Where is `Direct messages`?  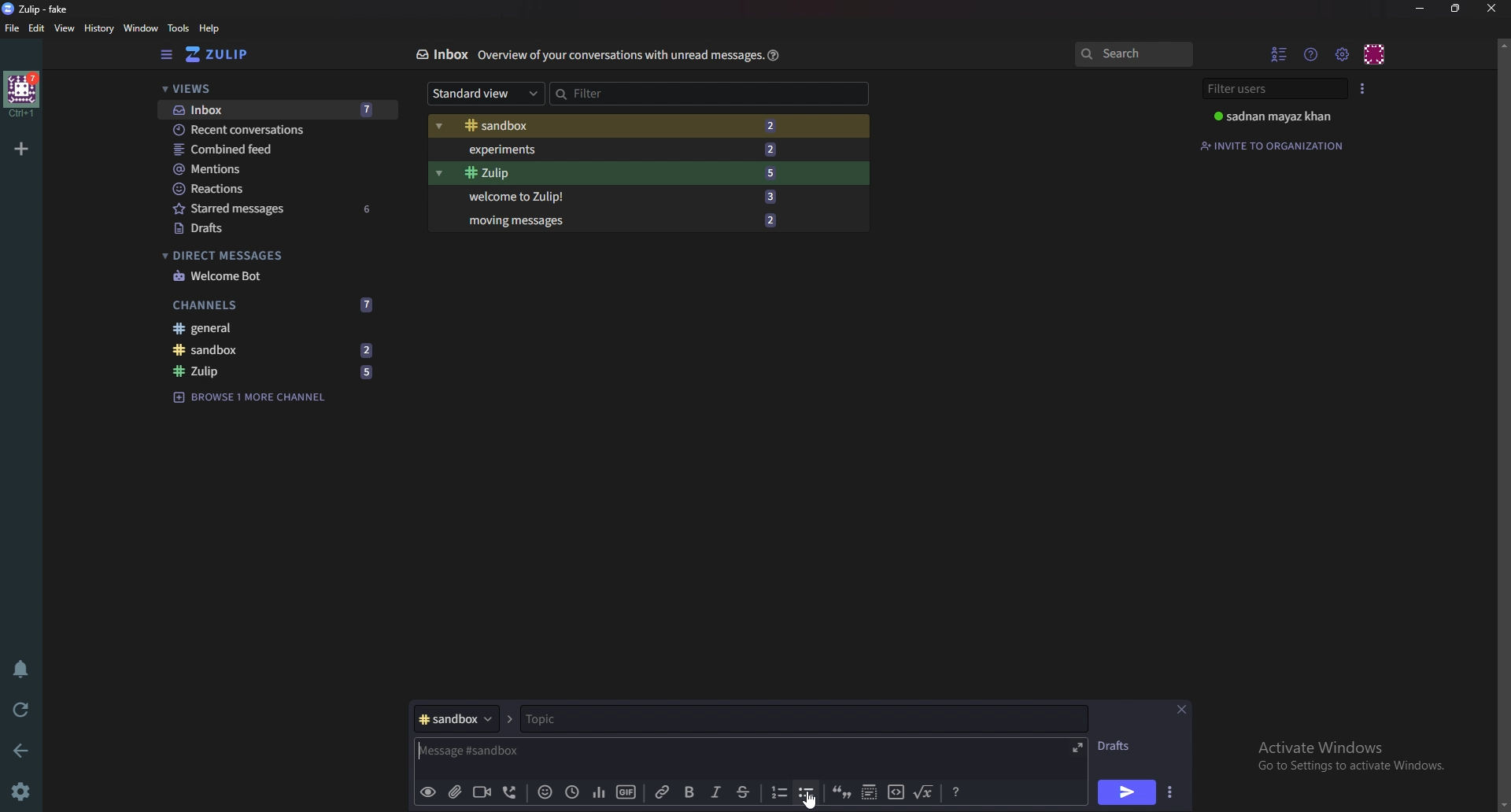
Direct messages is located at coordinates (271, 256).